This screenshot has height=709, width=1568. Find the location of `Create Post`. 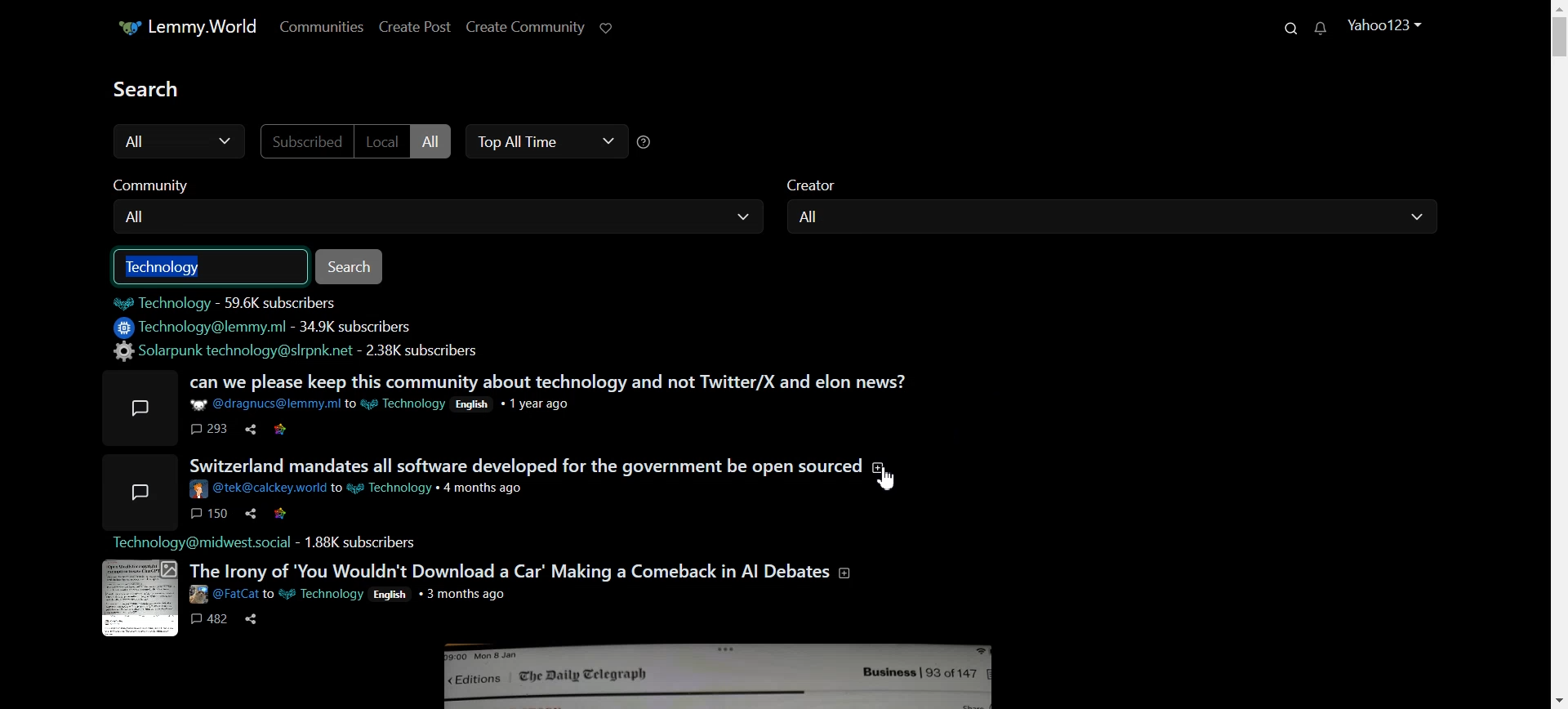

Create Post is located at coordinates (417, 27).